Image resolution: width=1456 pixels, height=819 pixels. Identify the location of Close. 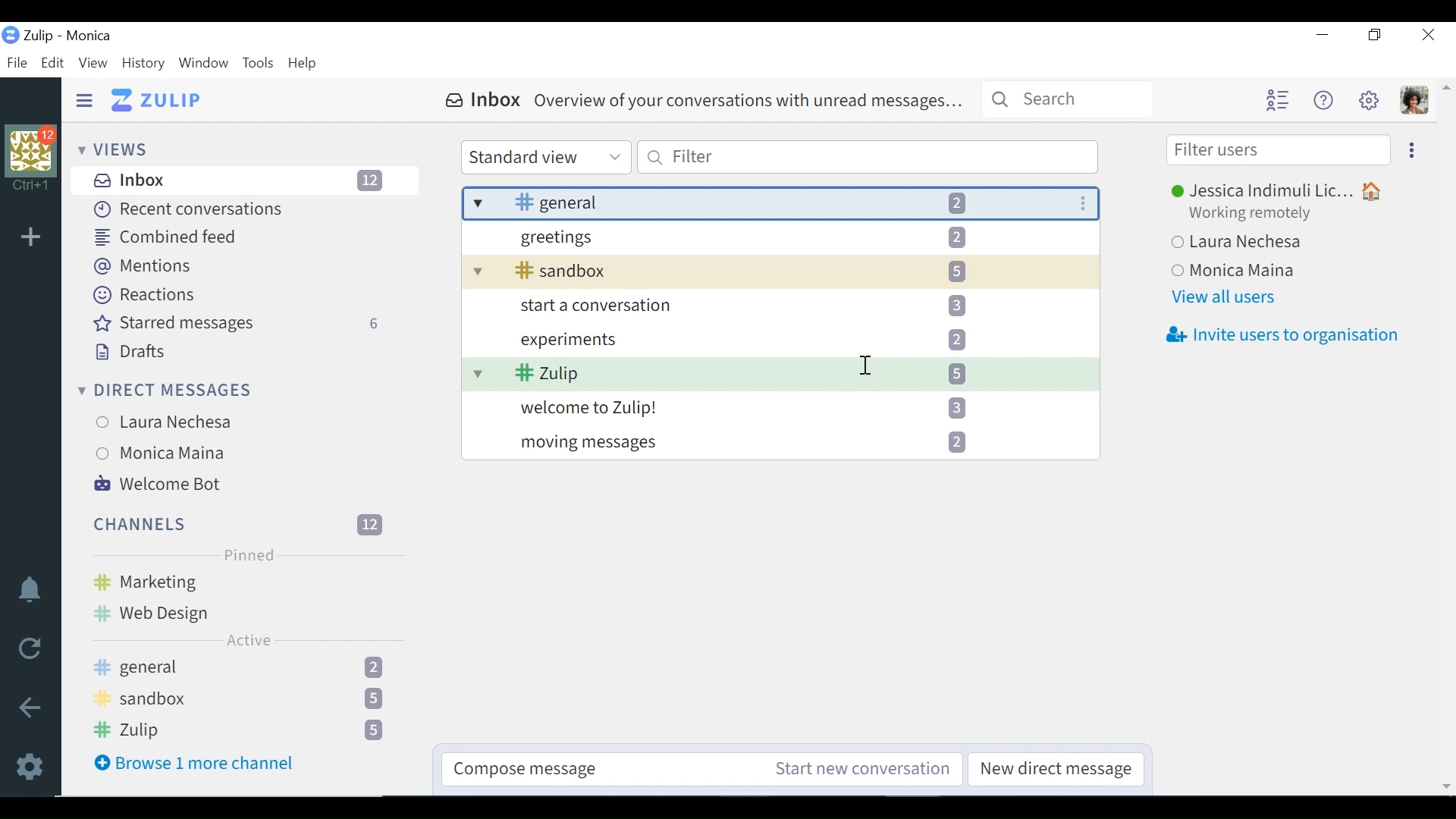
(1426, 33).